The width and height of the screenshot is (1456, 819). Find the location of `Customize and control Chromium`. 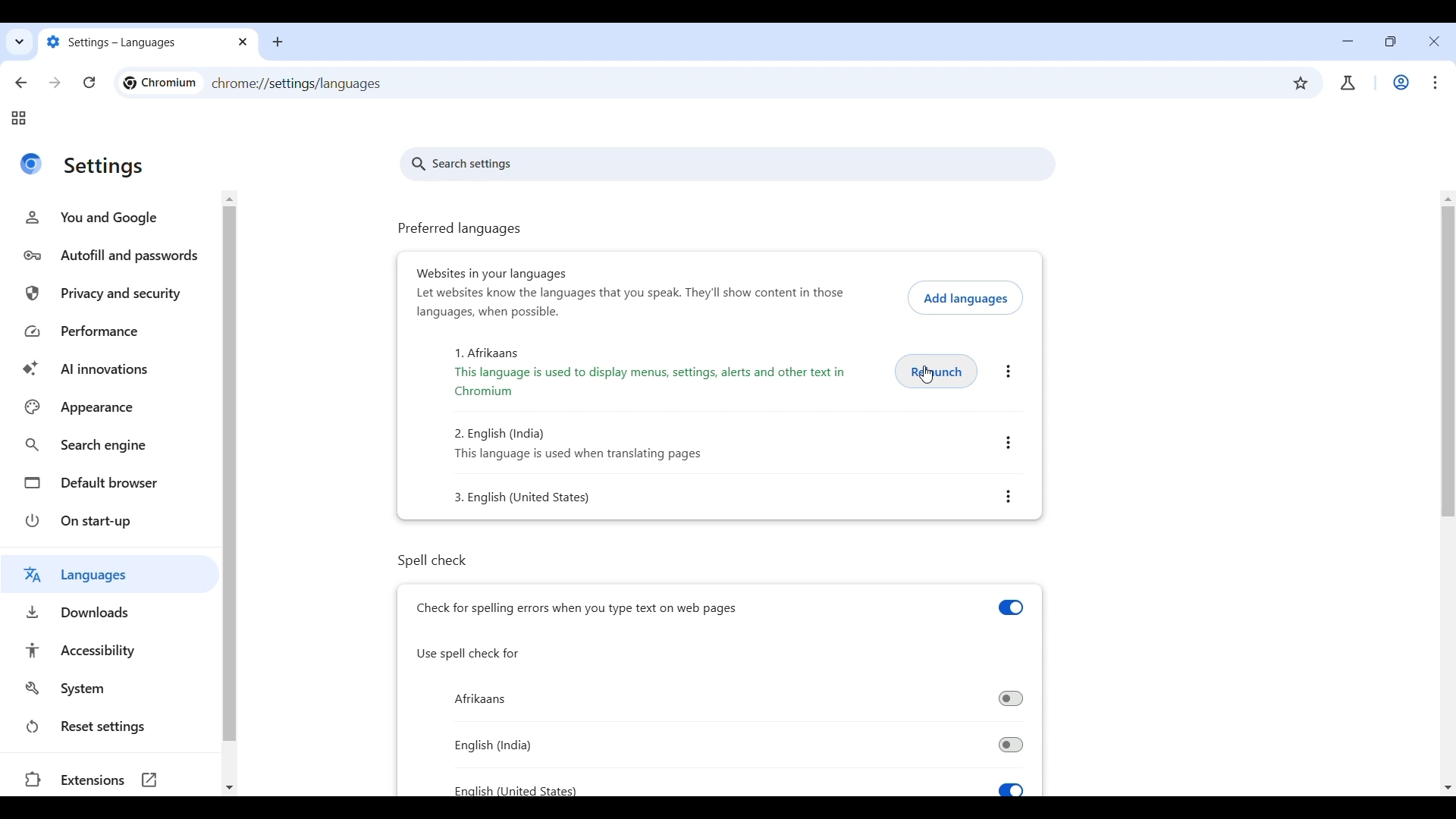

Customize and control Chromium is located at coordinates (1432, 82).